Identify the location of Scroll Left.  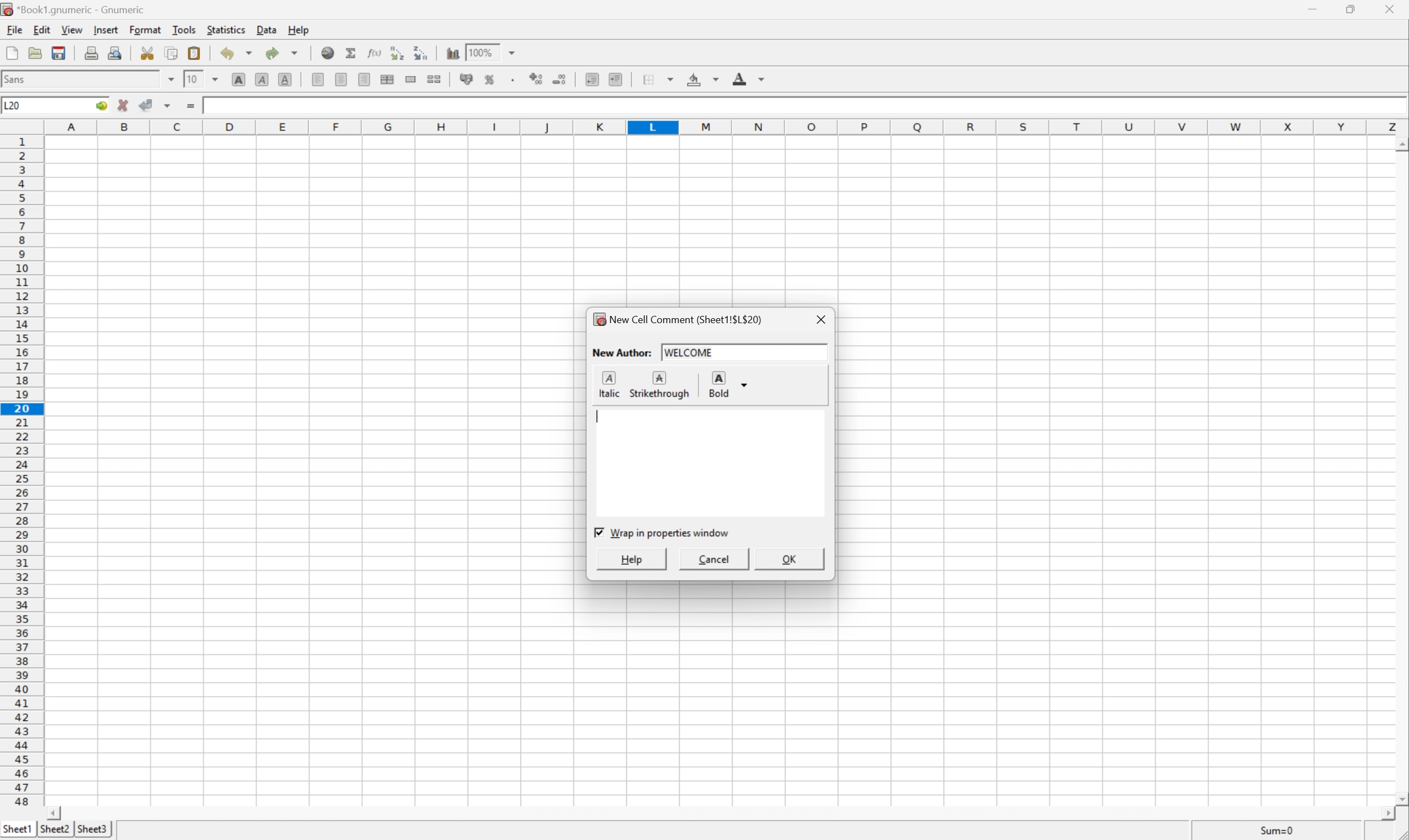
(55, 813).